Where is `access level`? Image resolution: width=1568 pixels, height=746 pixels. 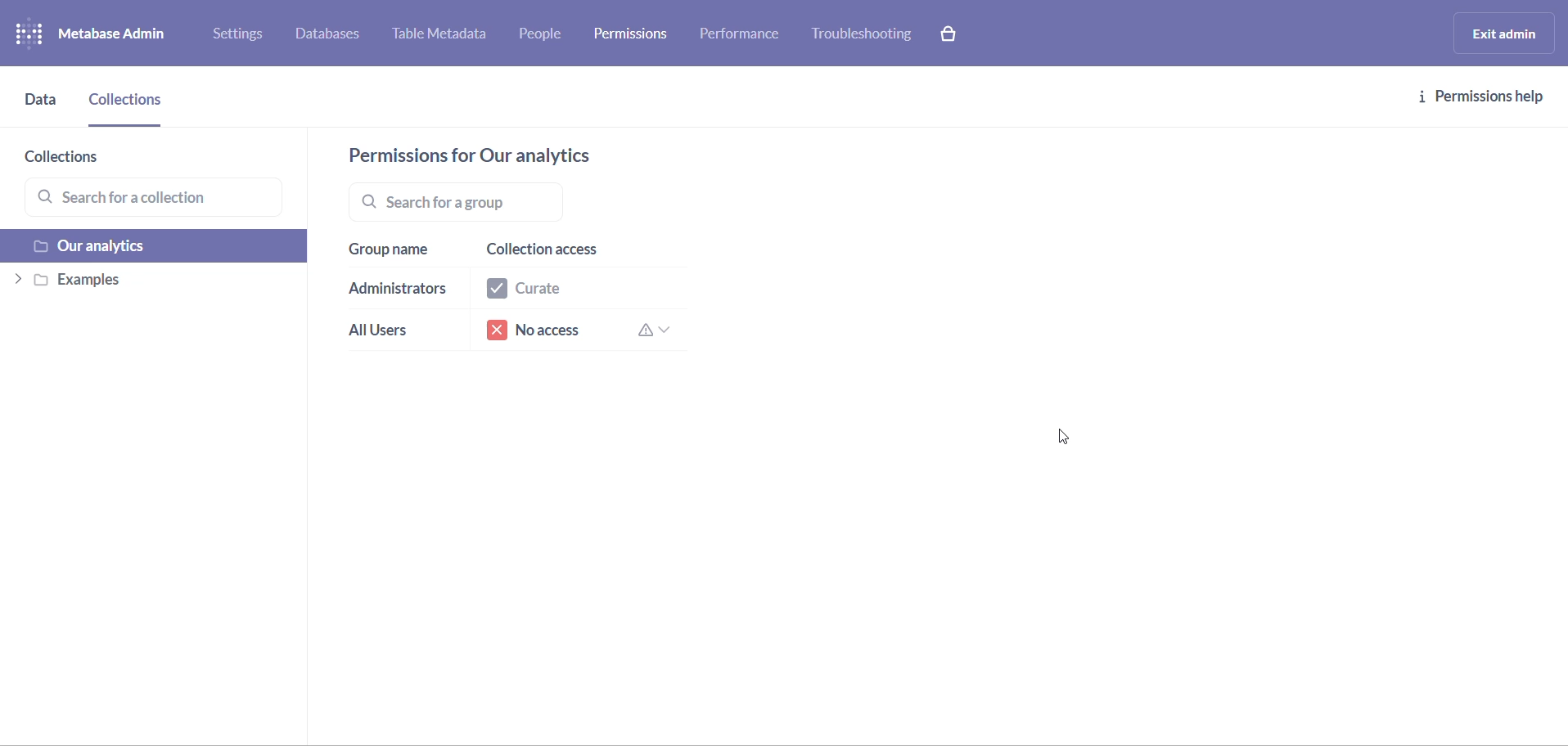
access level is located at coordinates (574, 291).